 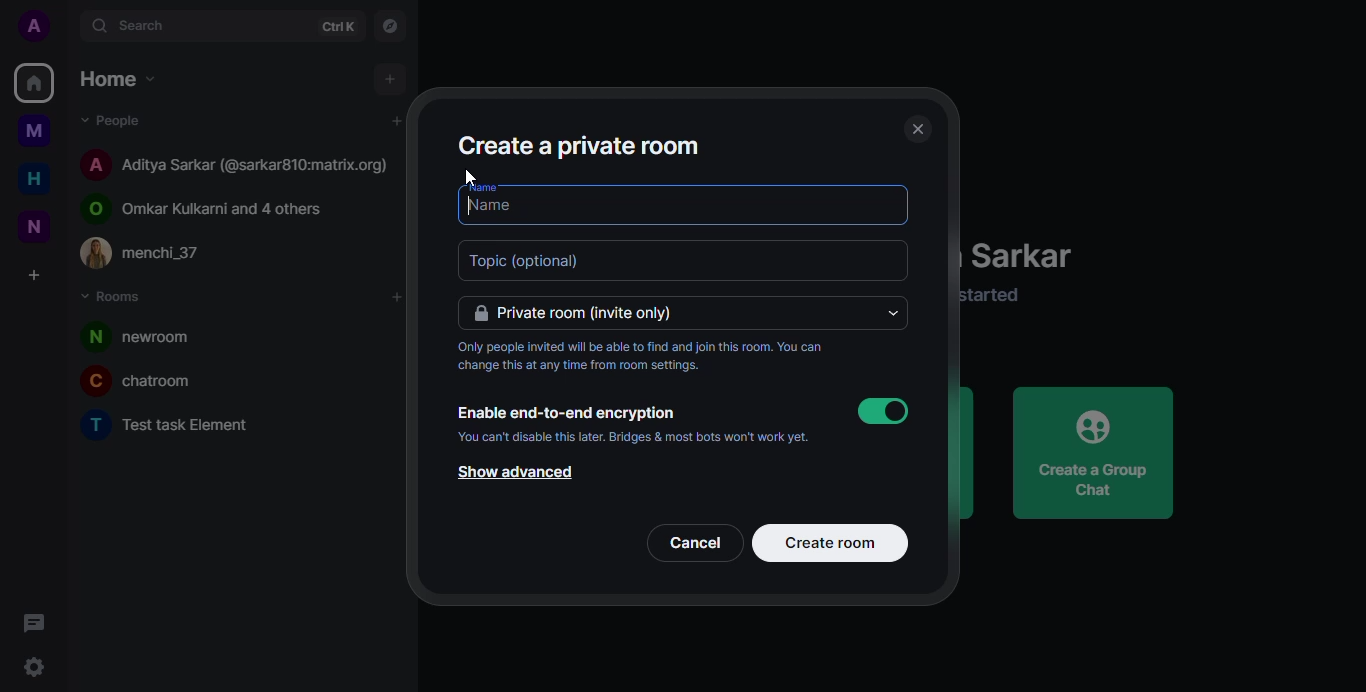 I want to click on You can't disable this later. Bridges & most bots won't work yet., so click(x=634, y=438).